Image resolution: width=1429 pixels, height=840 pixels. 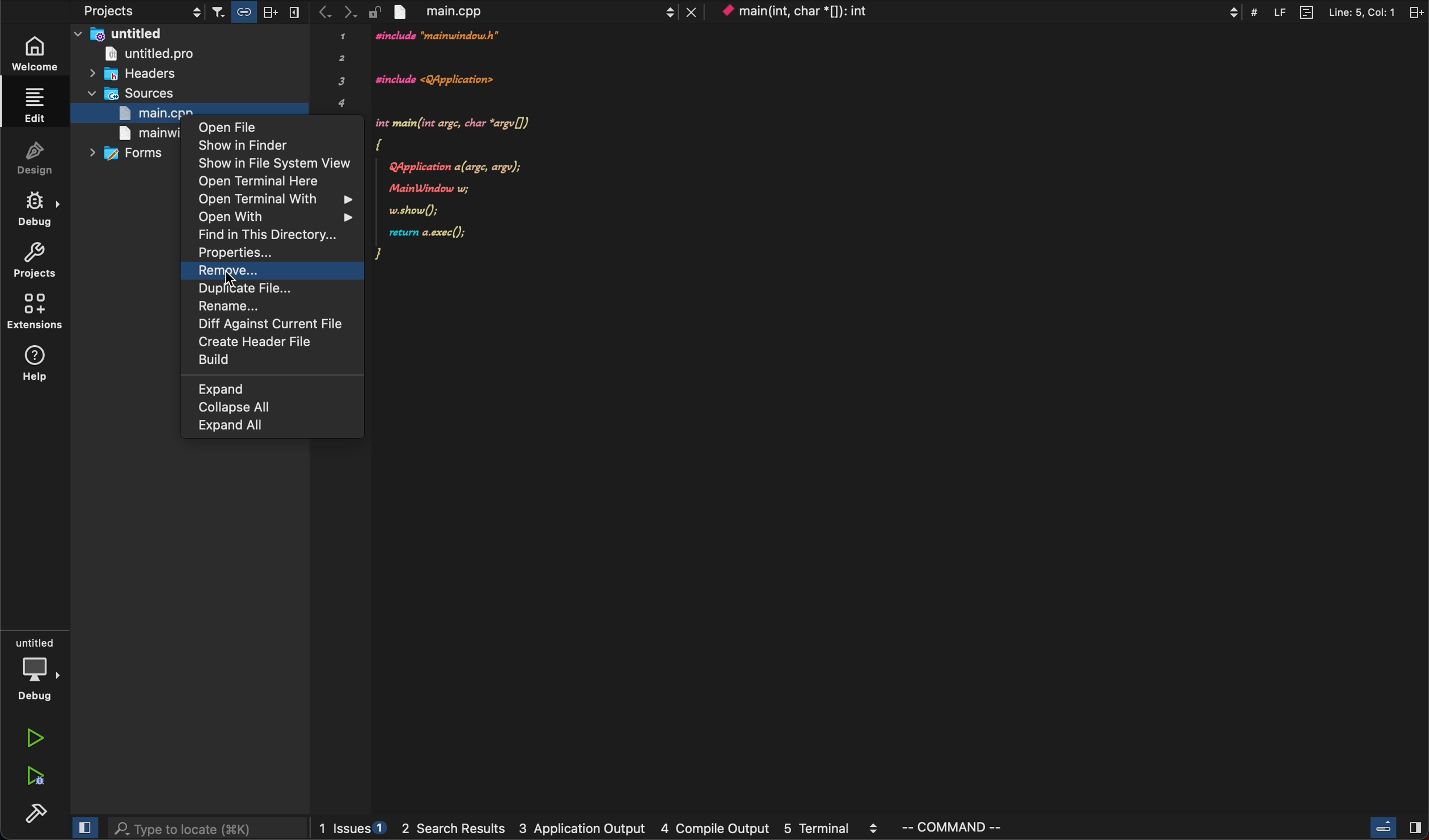 What do you see at coordinates (602, 828) in the screenshot?
I see `logs` at bounding box center [602, 828].